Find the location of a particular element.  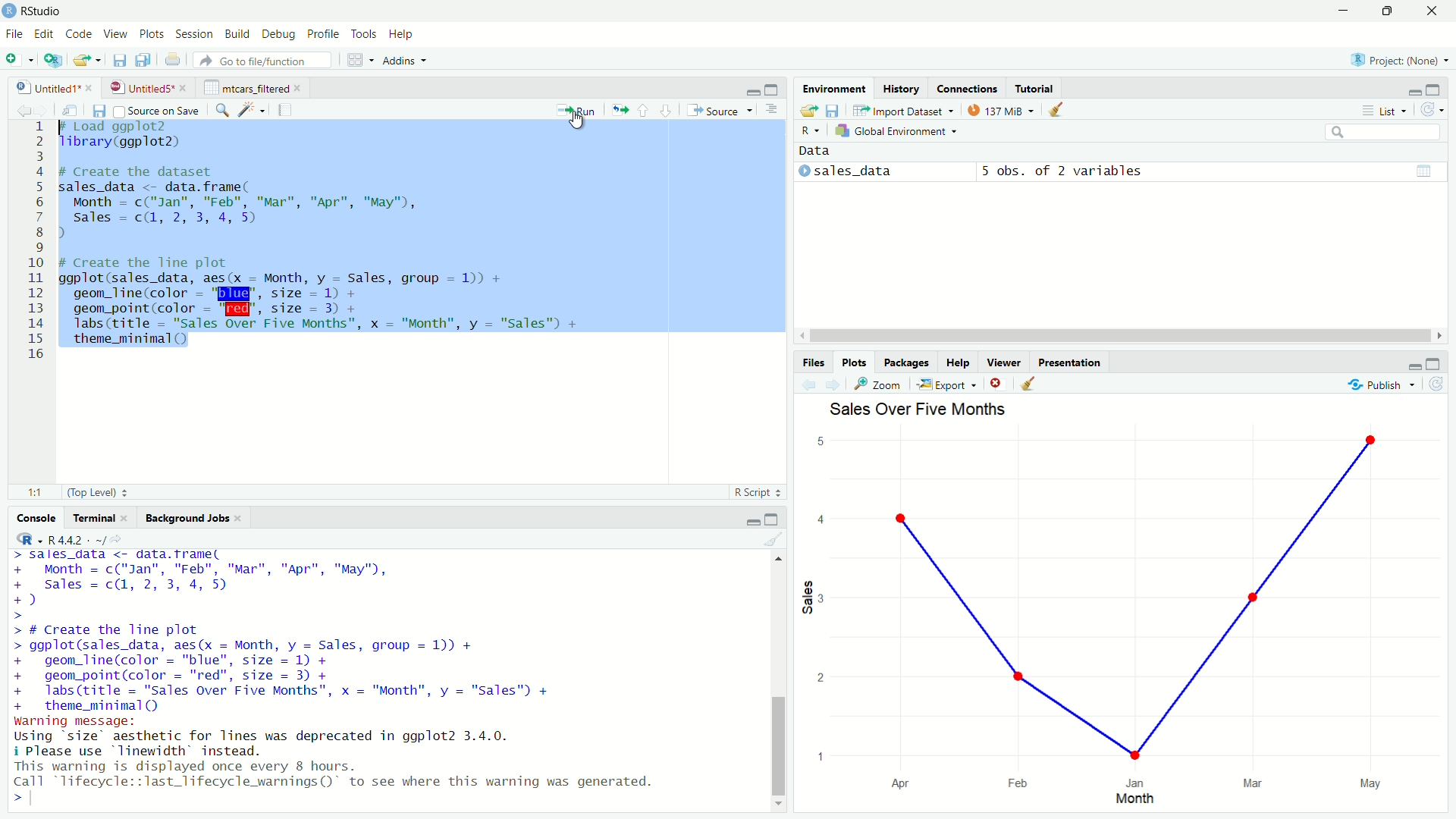

plots is located at coordinates (154, 35).